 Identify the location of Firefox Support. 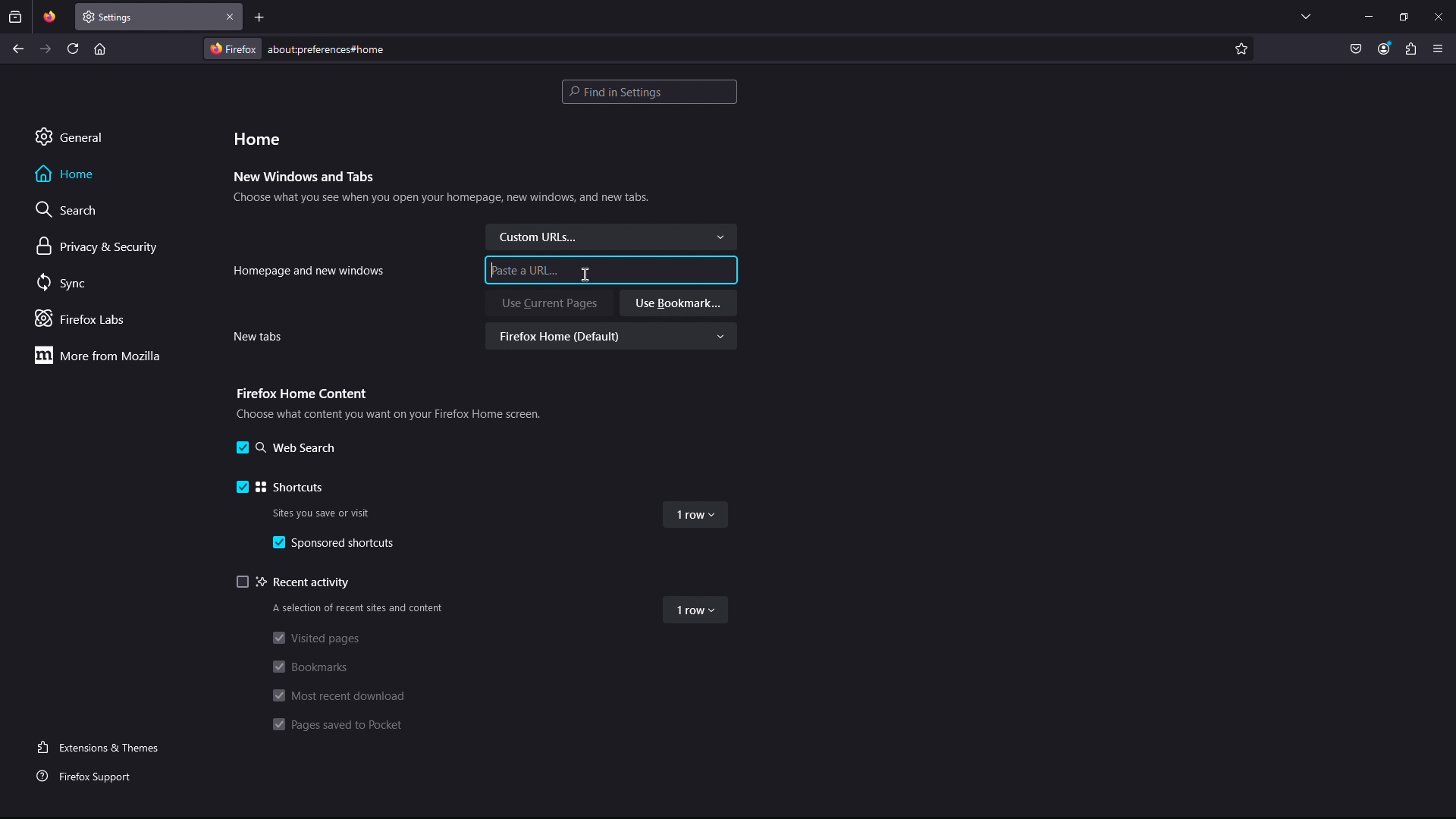
(89, 774).